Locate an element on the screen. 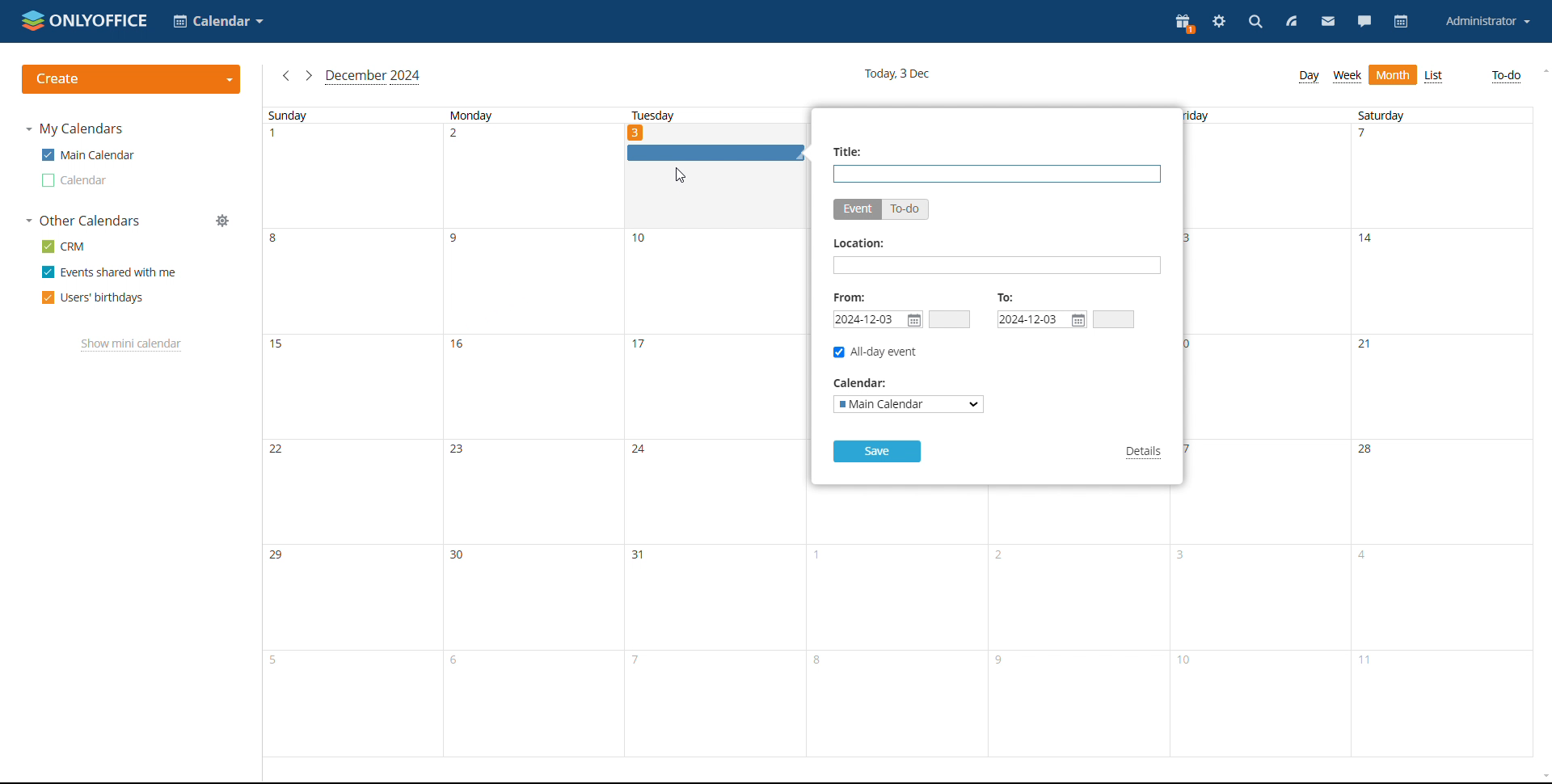 The width and height of the screenshot is (1552, 784). previous month is located at coordinates (286, 77).